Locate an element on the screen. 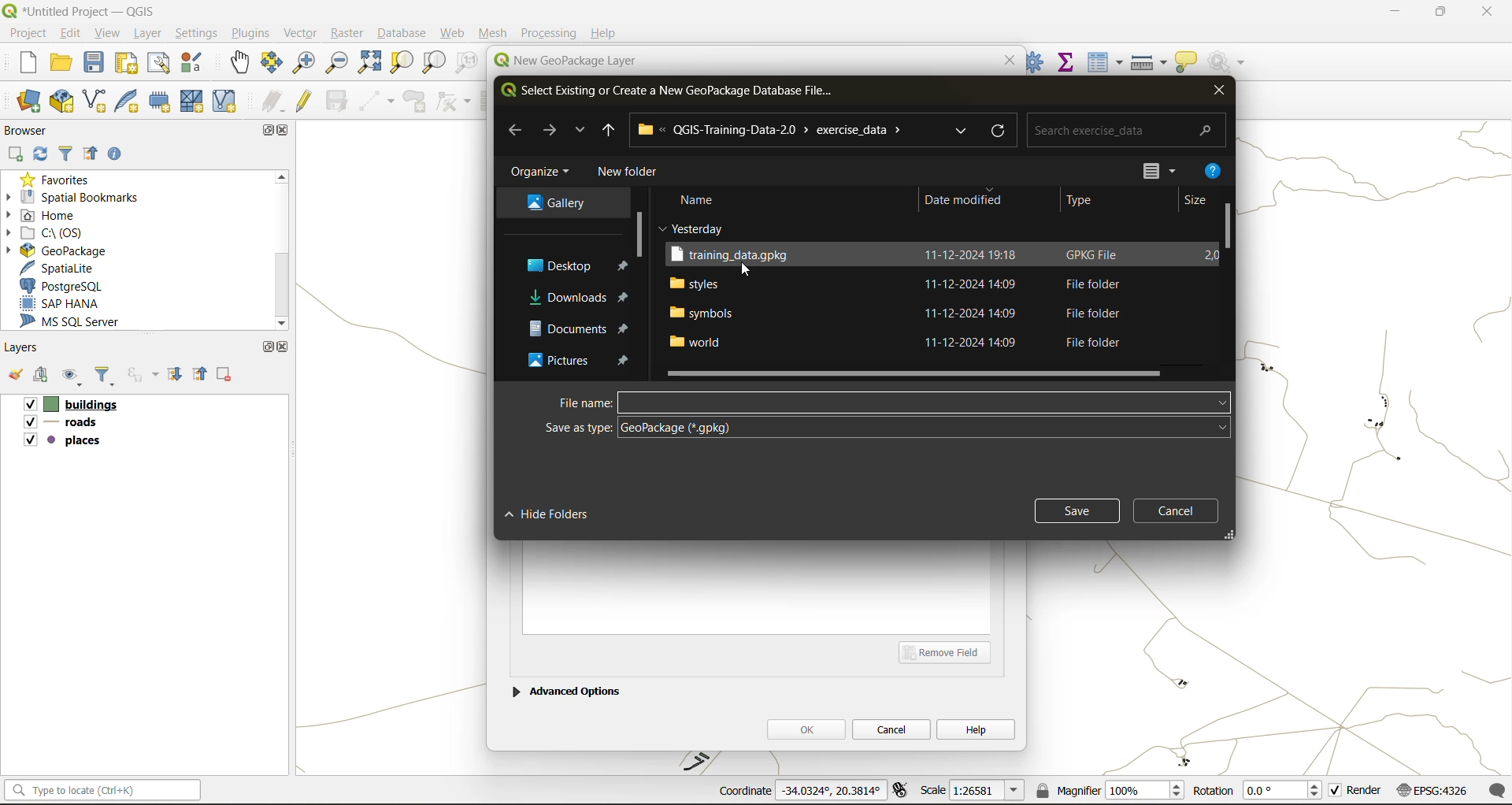  open data source manager is located at coordinates (29, 102).